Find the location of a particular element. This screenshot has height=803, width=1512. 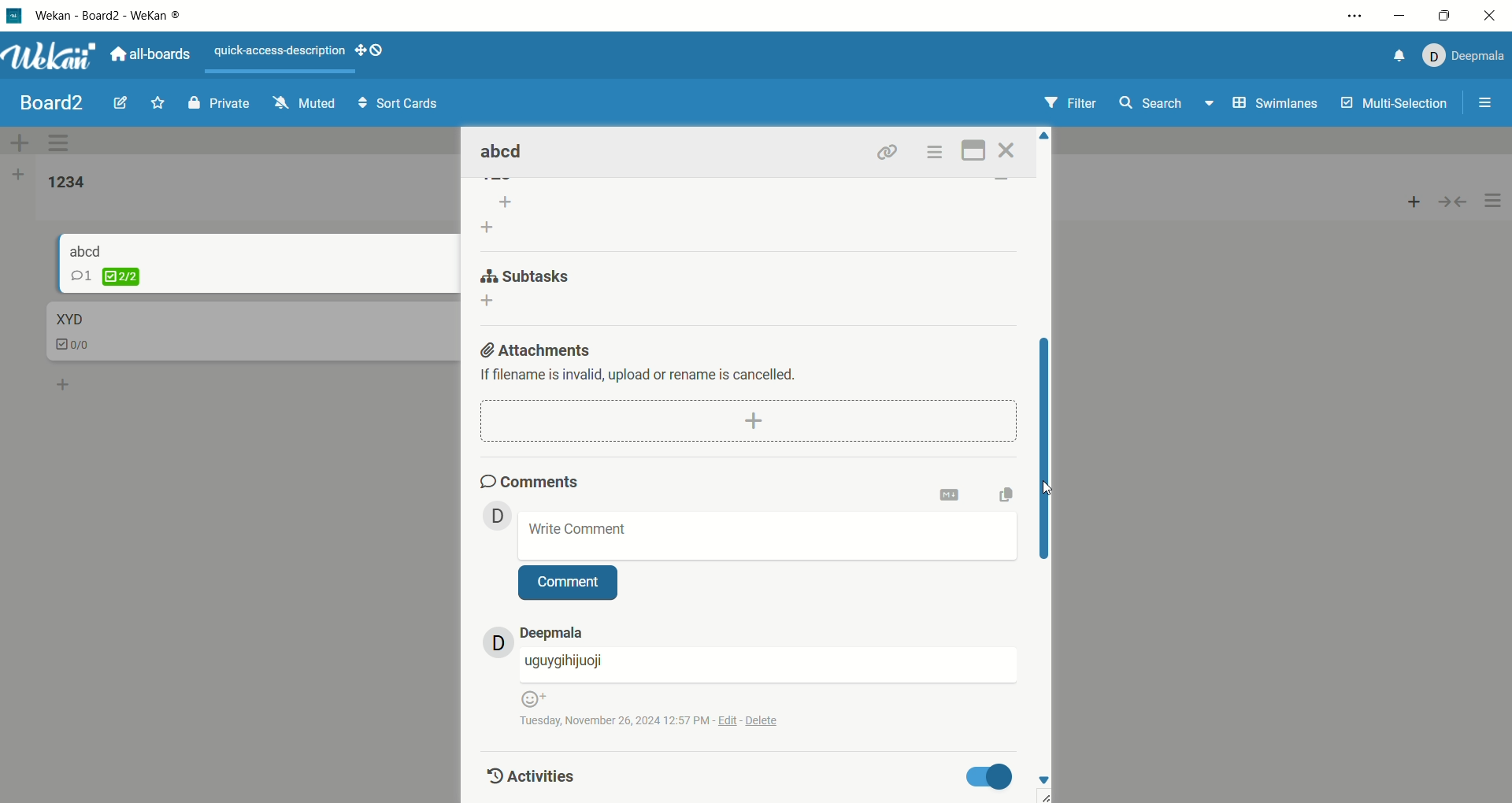

options is located at coordinates (1487, 105).